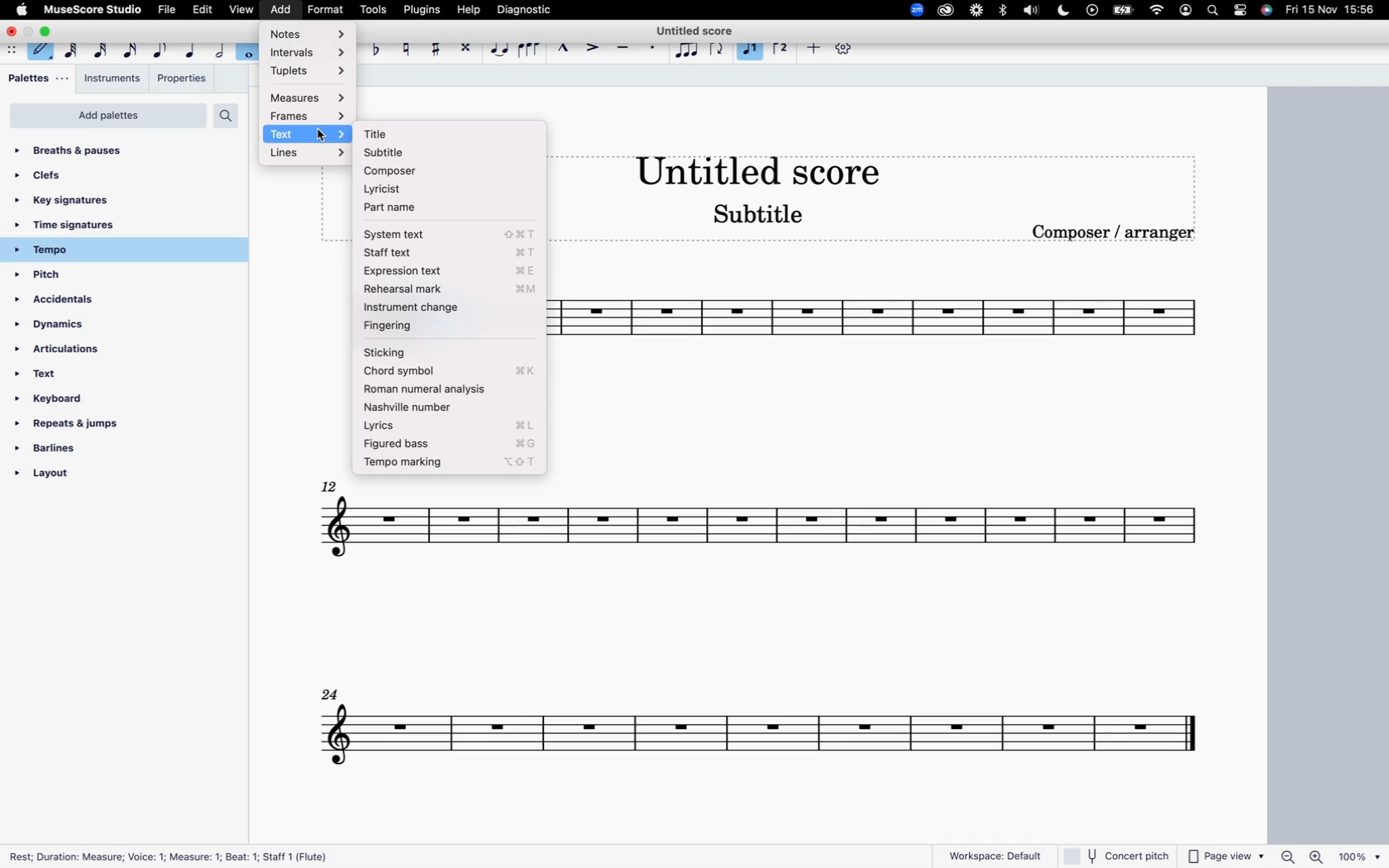 The height and width of the screenshot is (868, 1389). Describe the element at coordinates (769, 215) in the screenshot. I see `score subtitle` at that location.